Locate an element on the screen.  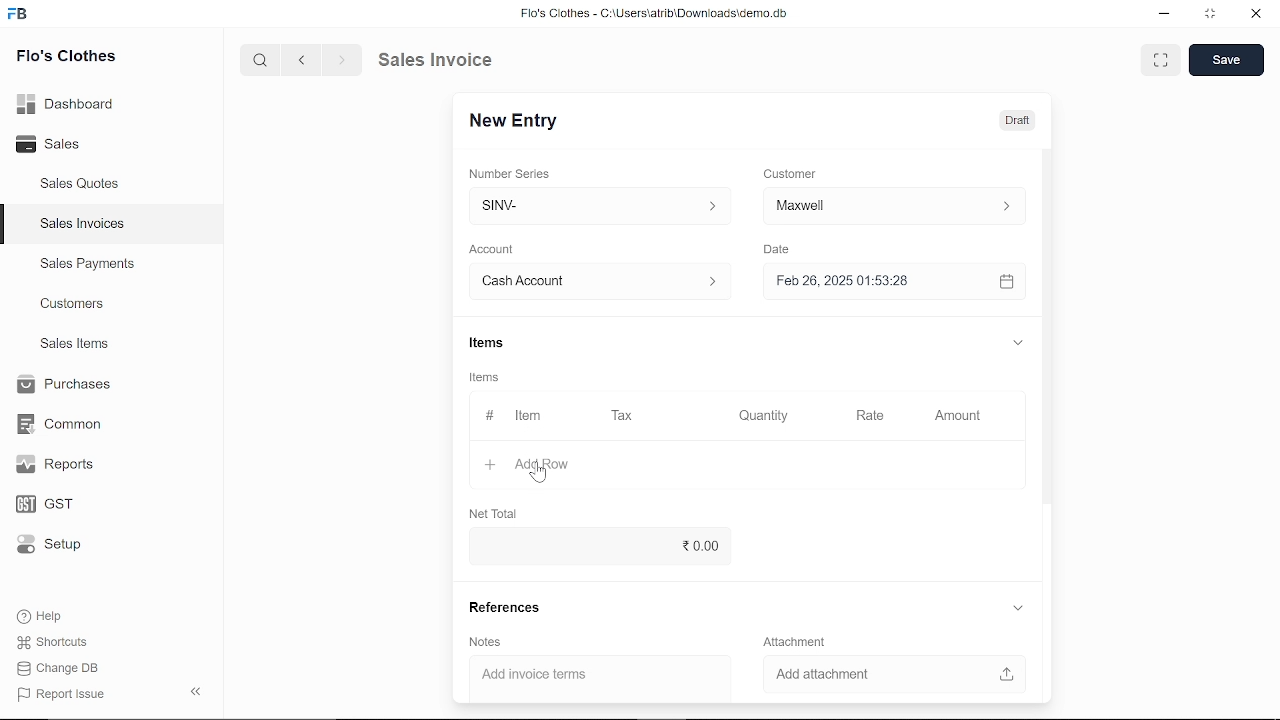
Sales Quotes is located at coordinates (82, 185).